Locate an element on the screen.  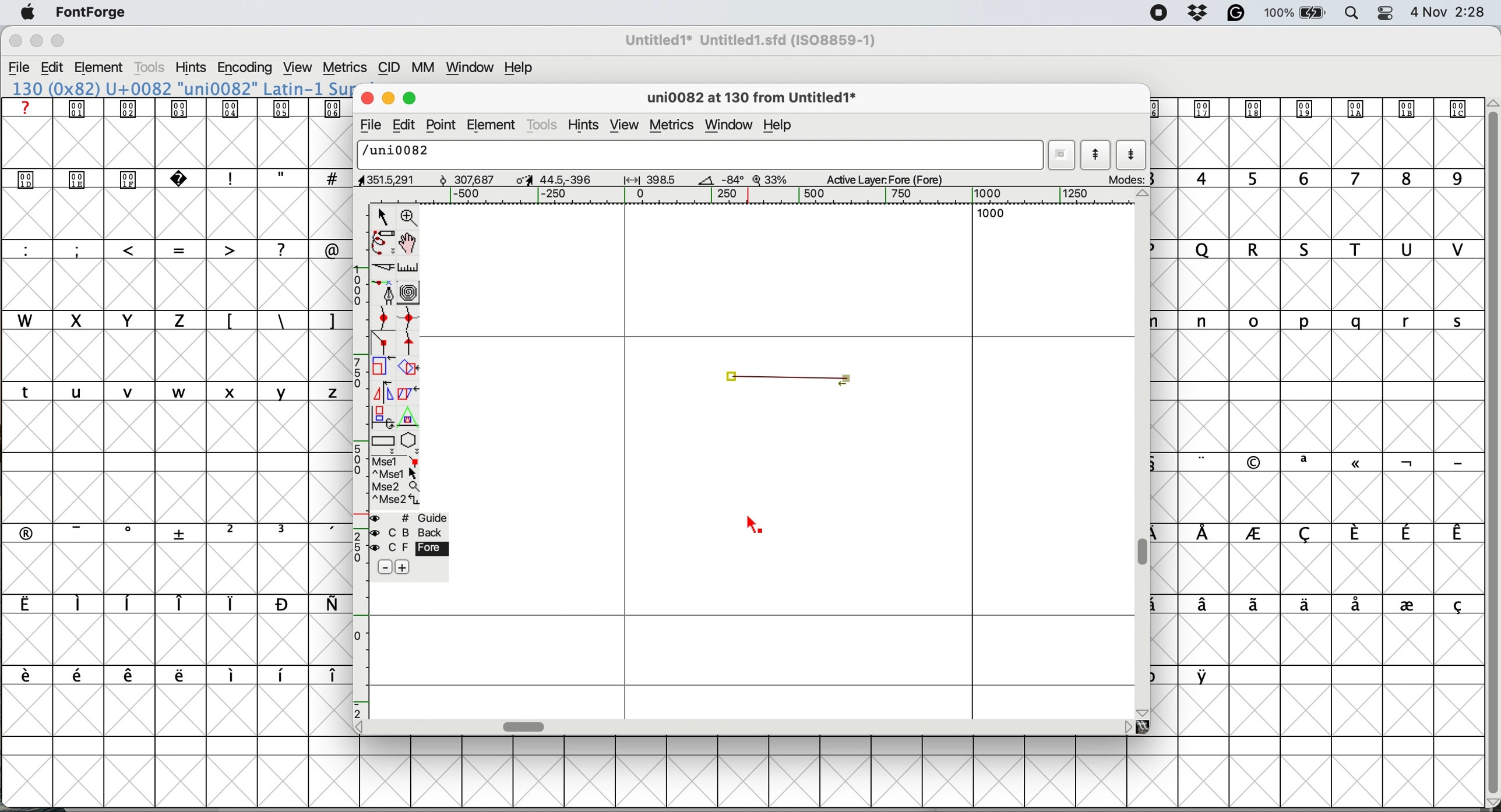
change whether spiro is active or not is located at coordinates (410, 292).